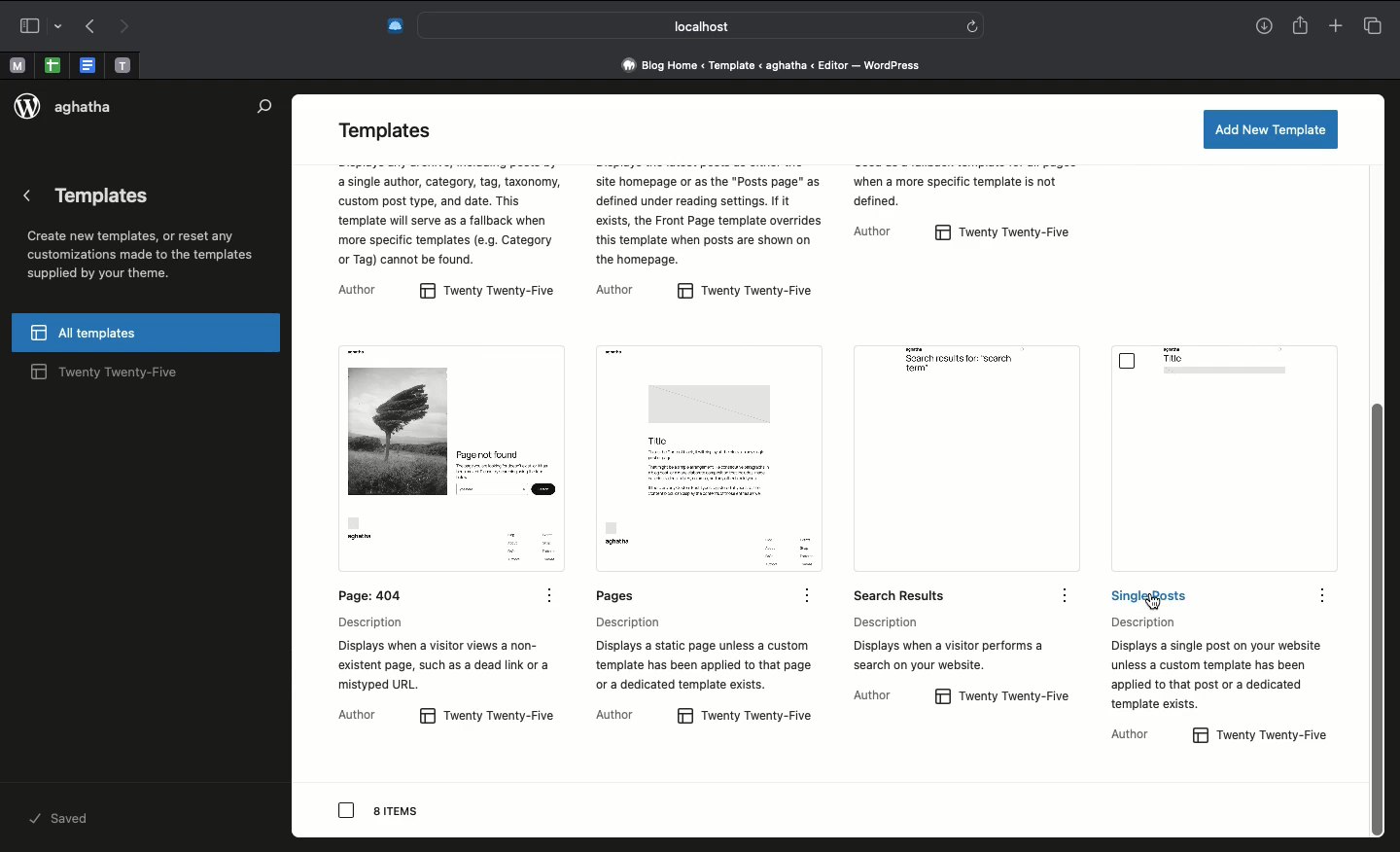  I want to click on twenty twenty-five, so click(119, 373).